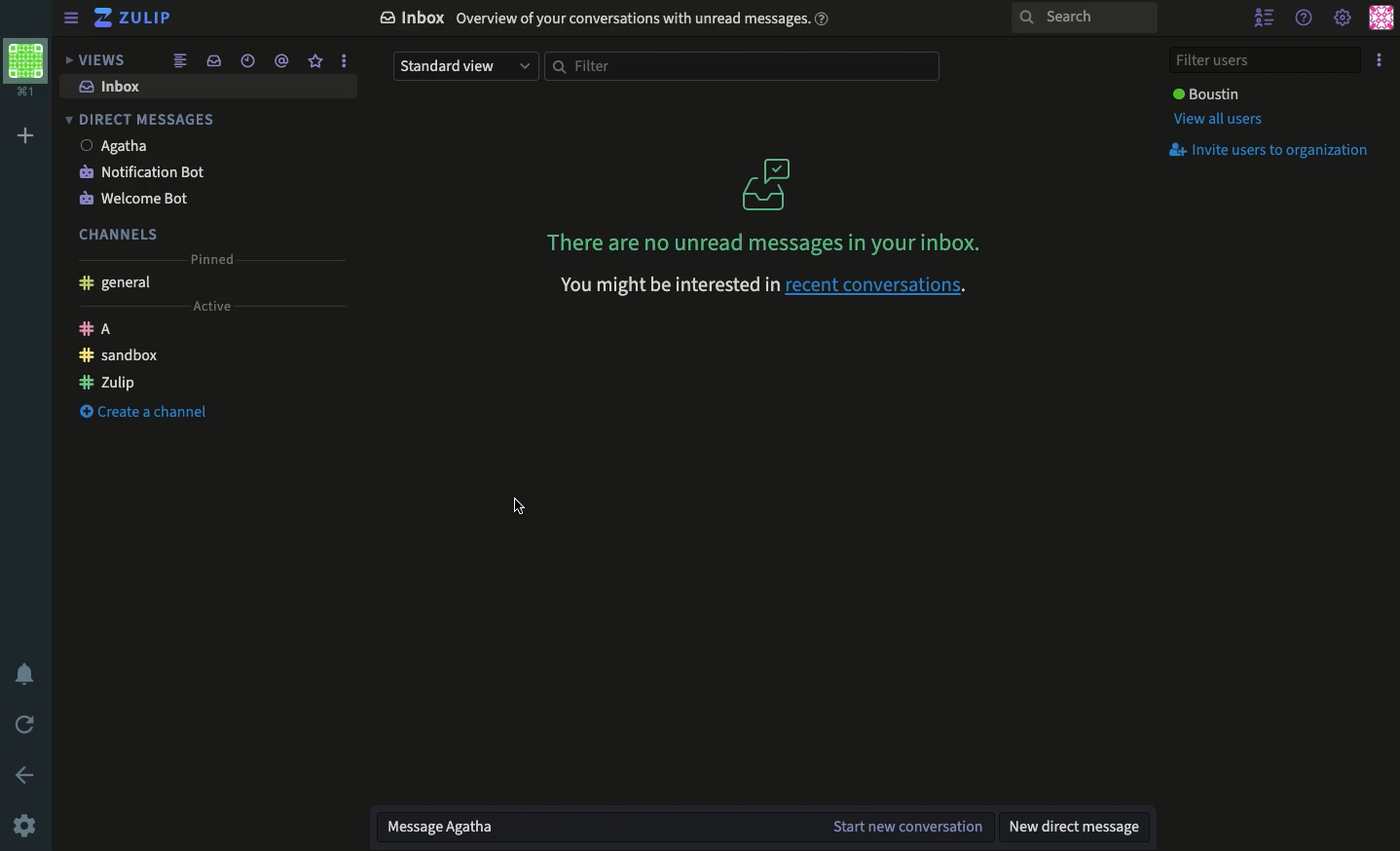  Describe the element at coordinates (213, 260) in the screenshot. I see `Pinned` at that location.